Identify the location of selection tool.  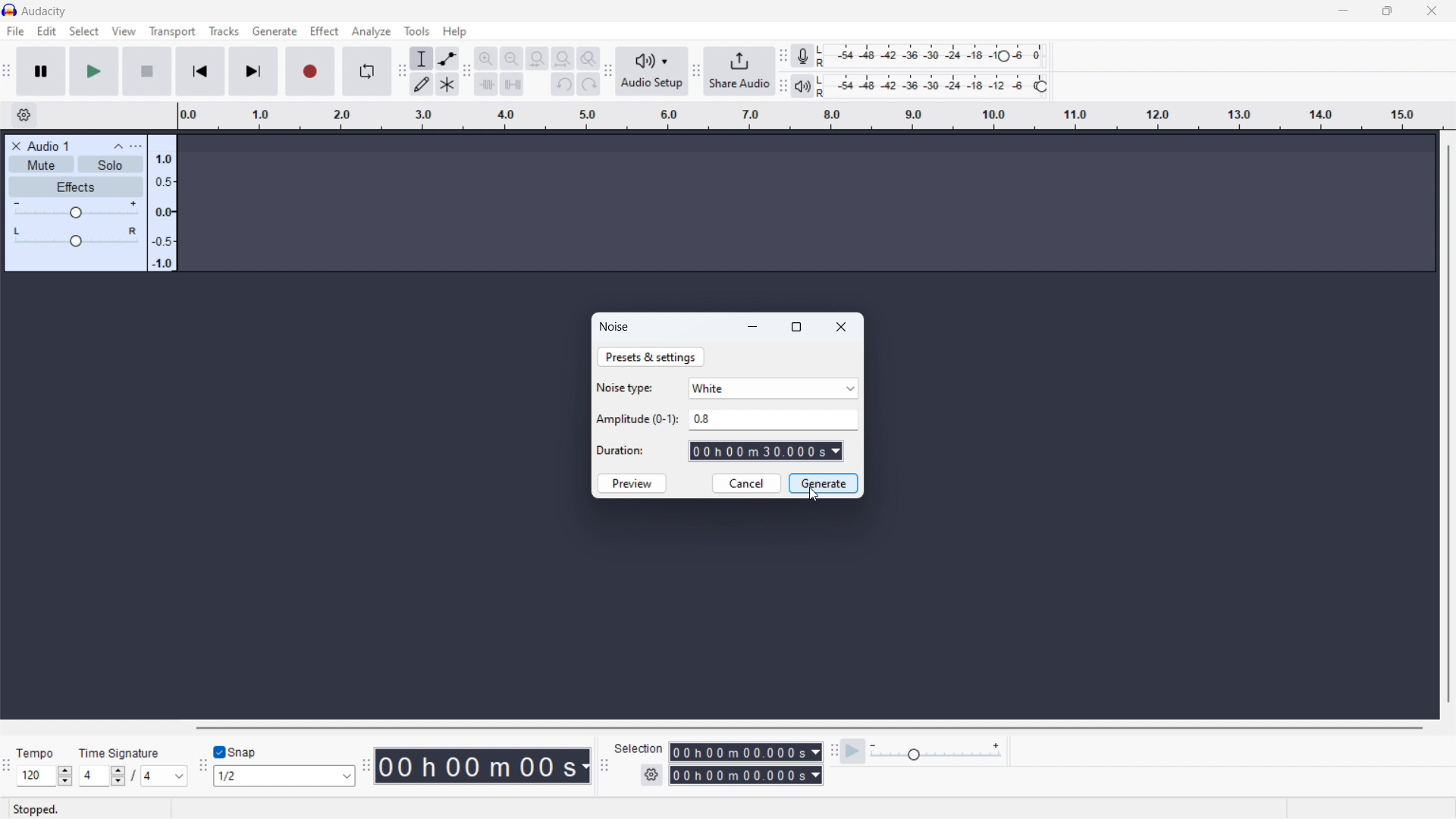
(422, 58).